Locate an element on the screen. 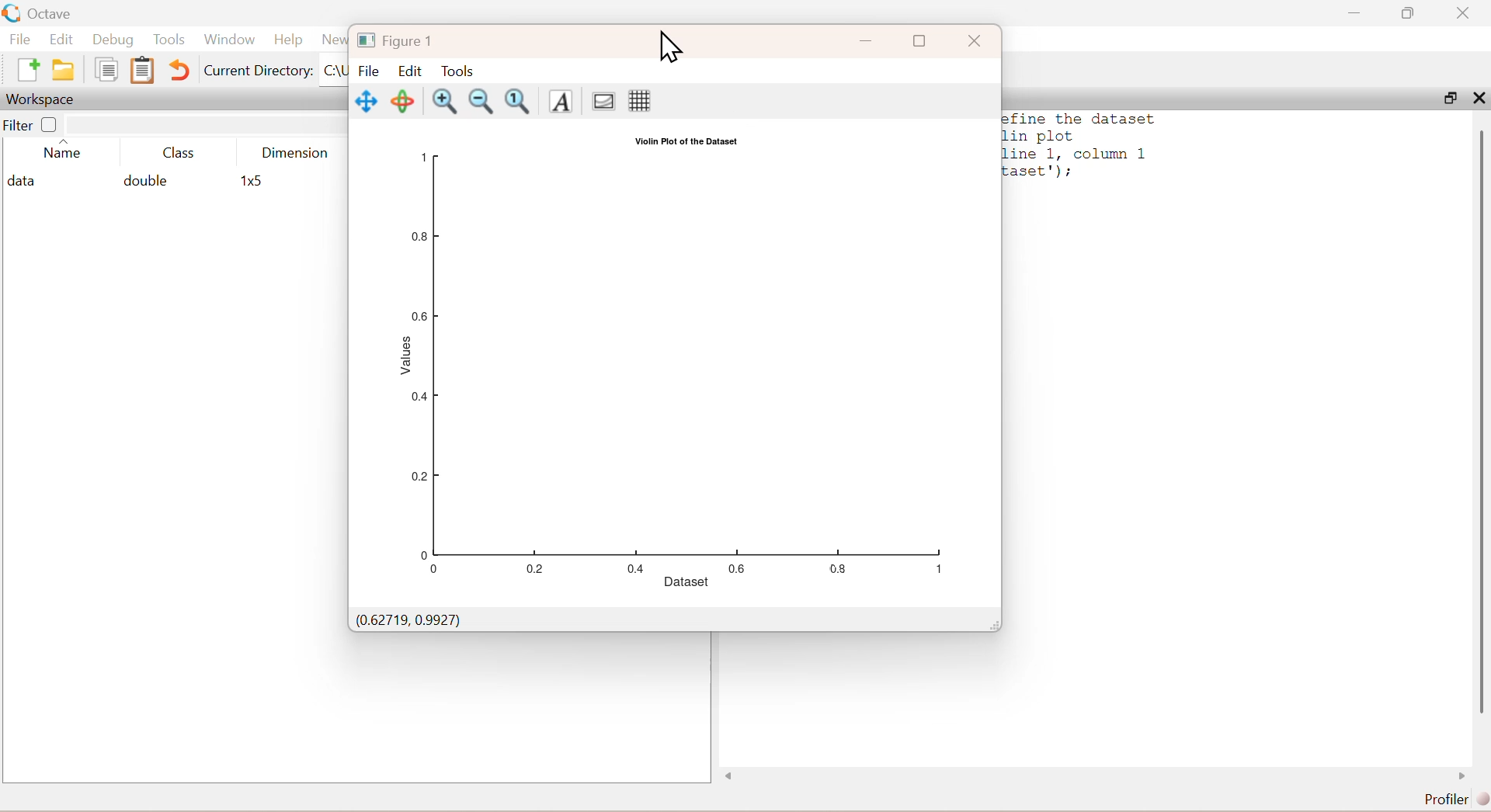  maximise is located at coordinates (1409, 12).